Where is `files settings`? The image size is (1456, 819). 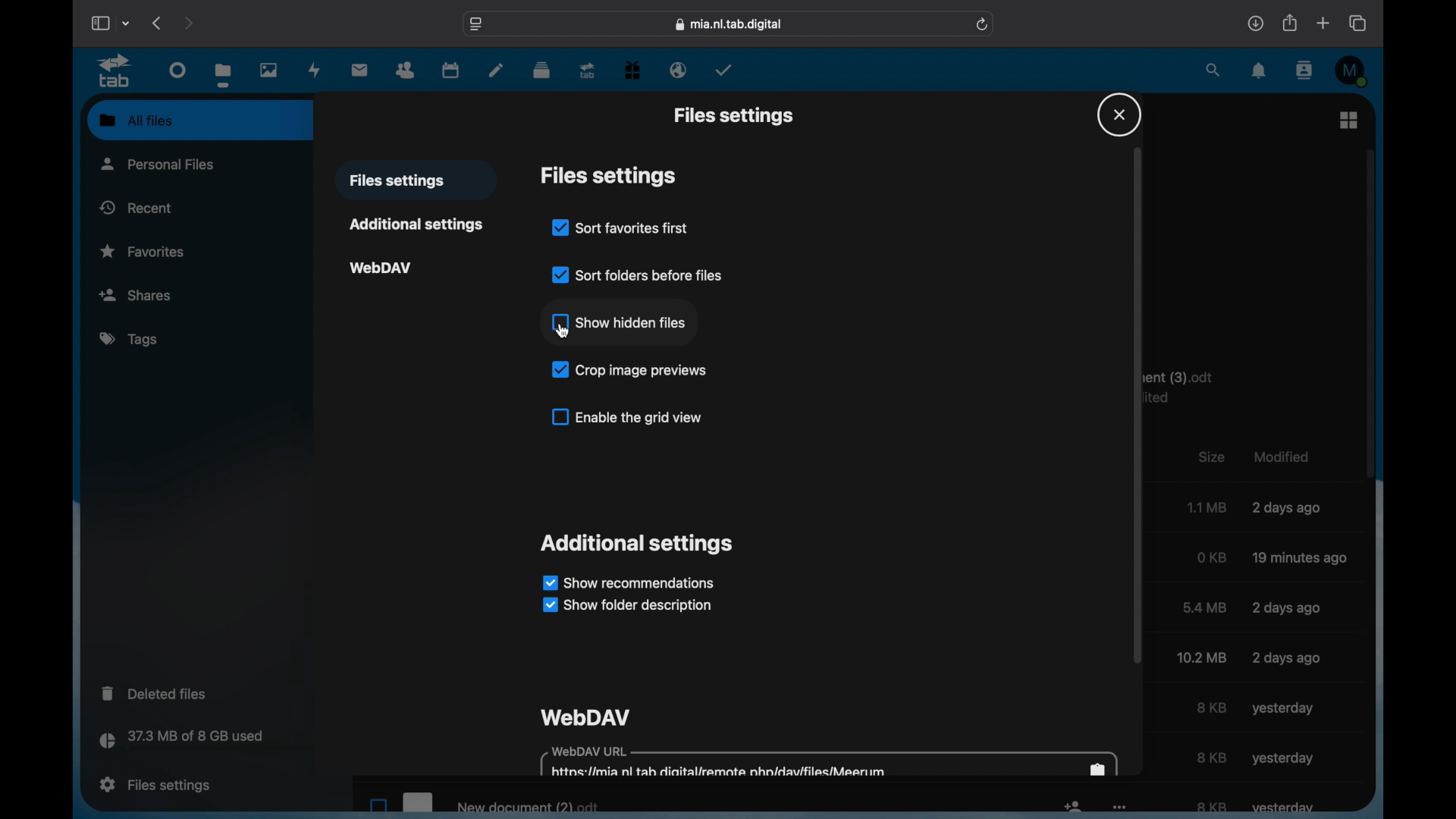
files settings is located at coordinates (607, 176).